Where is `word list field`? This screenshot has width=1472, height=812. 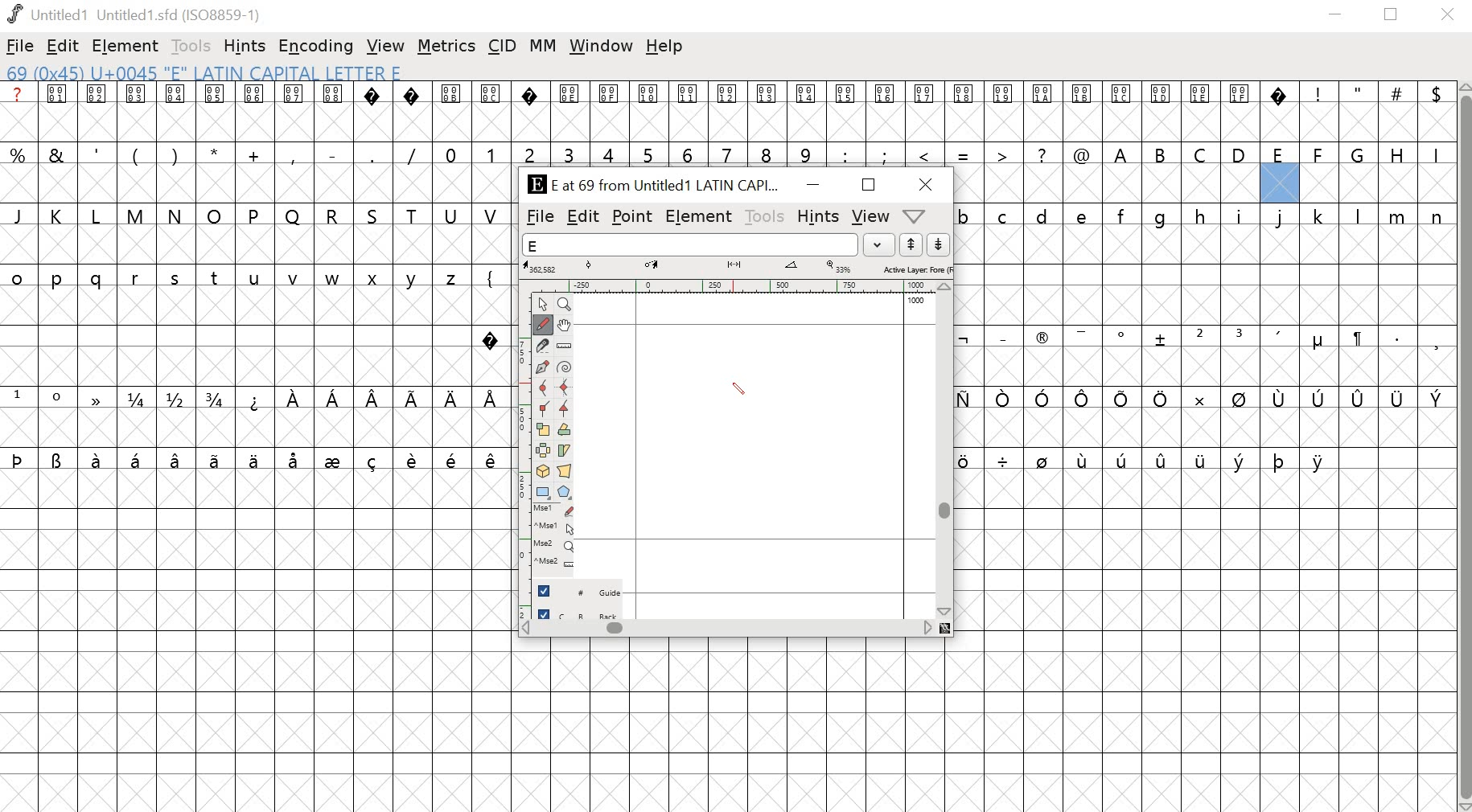
word list field is located at coordinates (690, 244).